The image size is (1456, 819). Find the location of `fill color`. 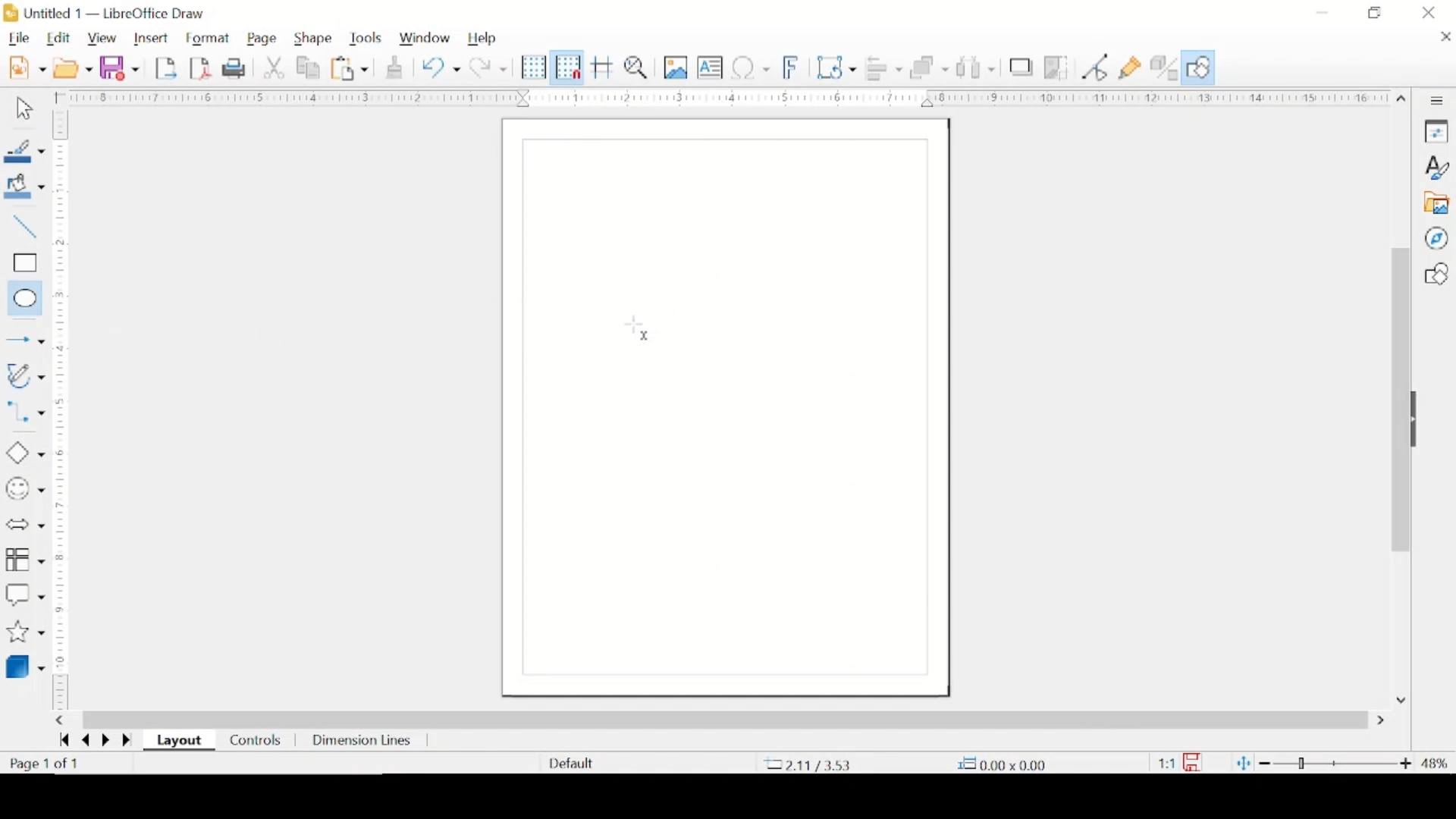

fill color is located at coordinates (27, 187).